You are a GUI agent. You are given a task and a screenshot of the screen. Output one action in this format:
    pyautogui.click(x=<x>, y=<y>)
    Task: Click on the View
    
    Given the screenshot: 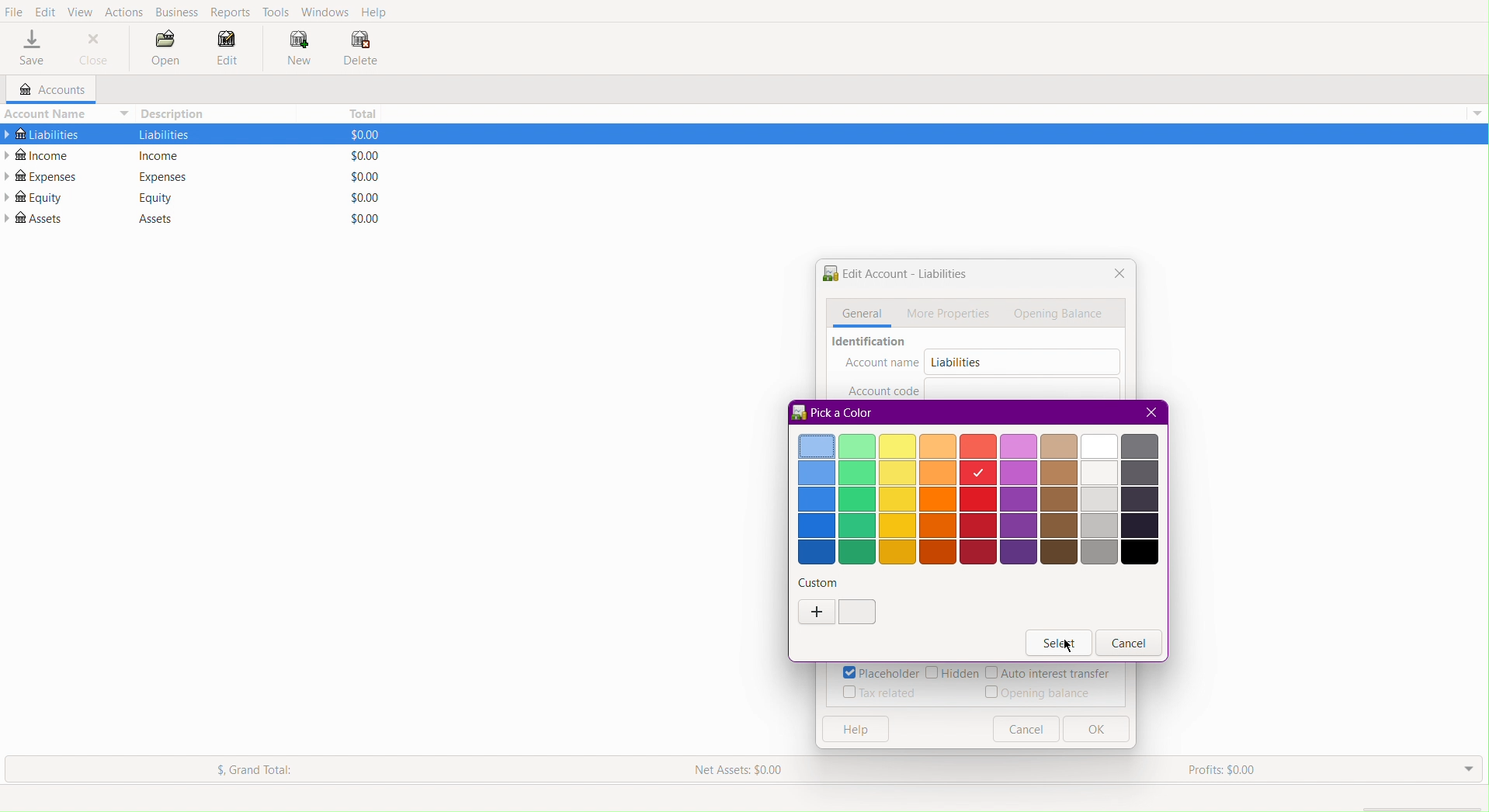 What is the action you would take?
    pyautogui.click(x=82, y=10)
    